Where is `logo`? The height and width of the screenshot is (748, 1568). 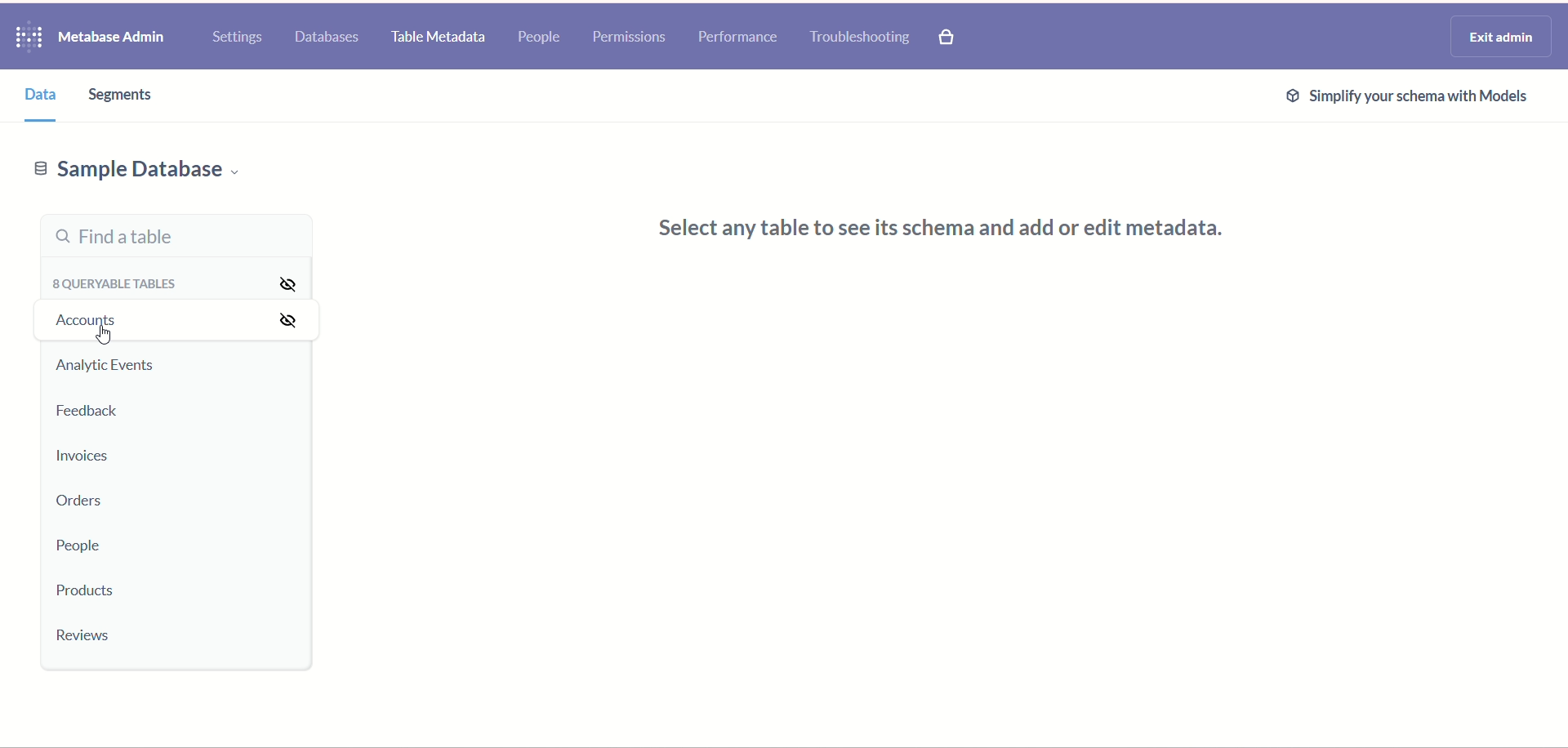
logo is located at coordinates (30, 38).